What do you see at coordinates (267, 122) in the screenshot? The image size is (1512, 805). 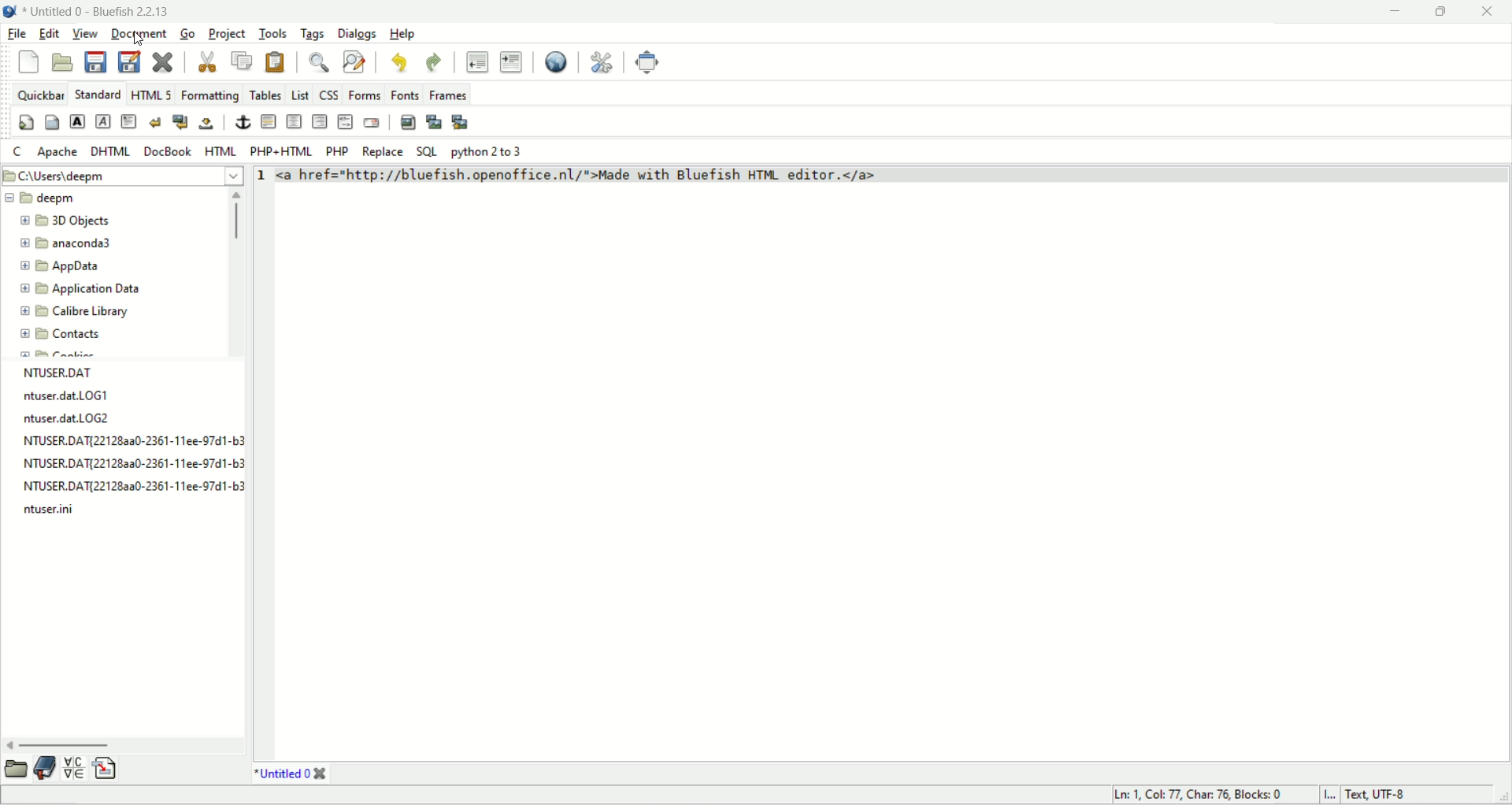 I see `horizontal rule` at bounding box center [267, 122].